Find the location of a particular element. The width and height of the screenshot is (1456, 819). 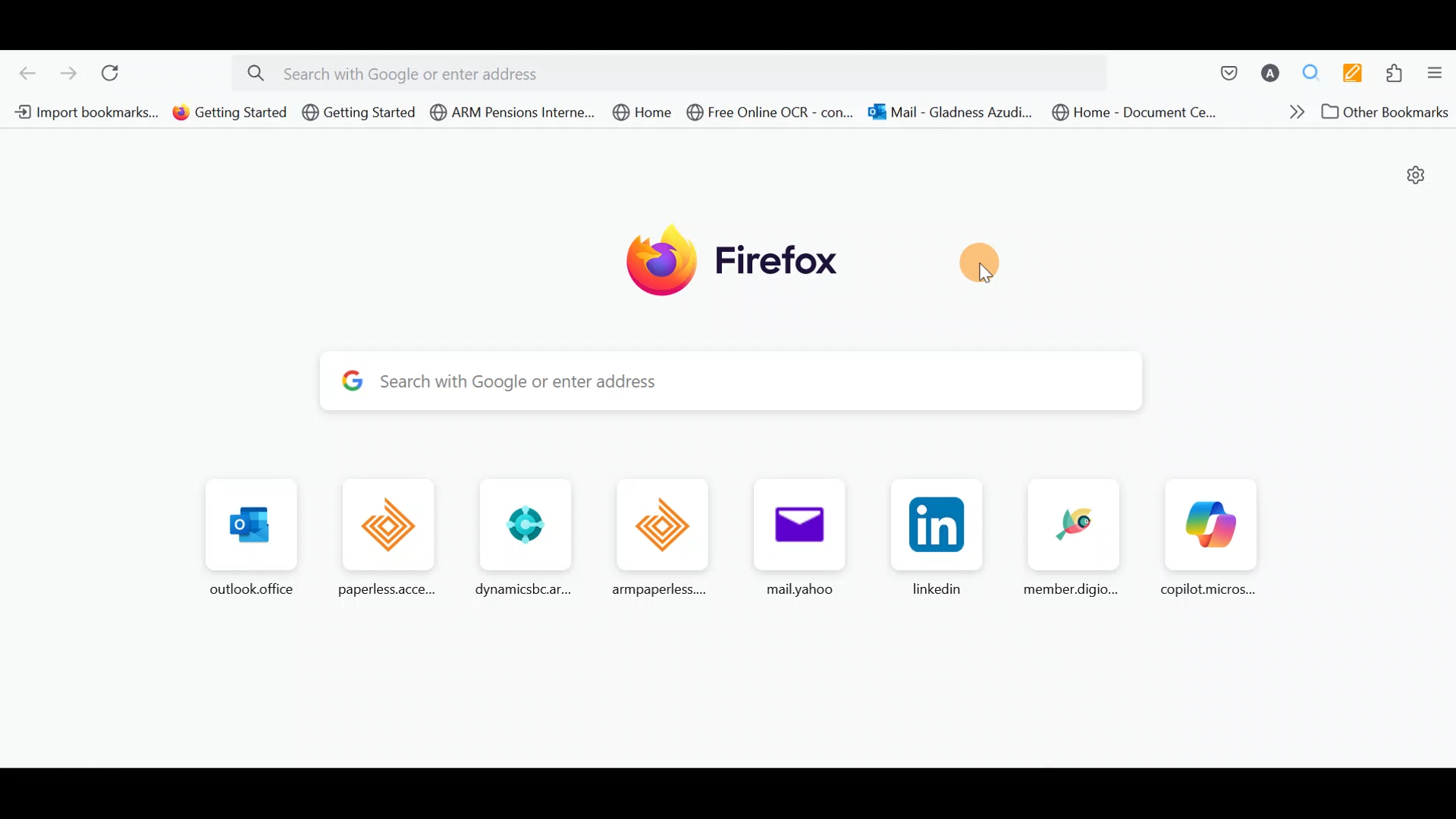

Extensions is located at coordinates (1398, 71).